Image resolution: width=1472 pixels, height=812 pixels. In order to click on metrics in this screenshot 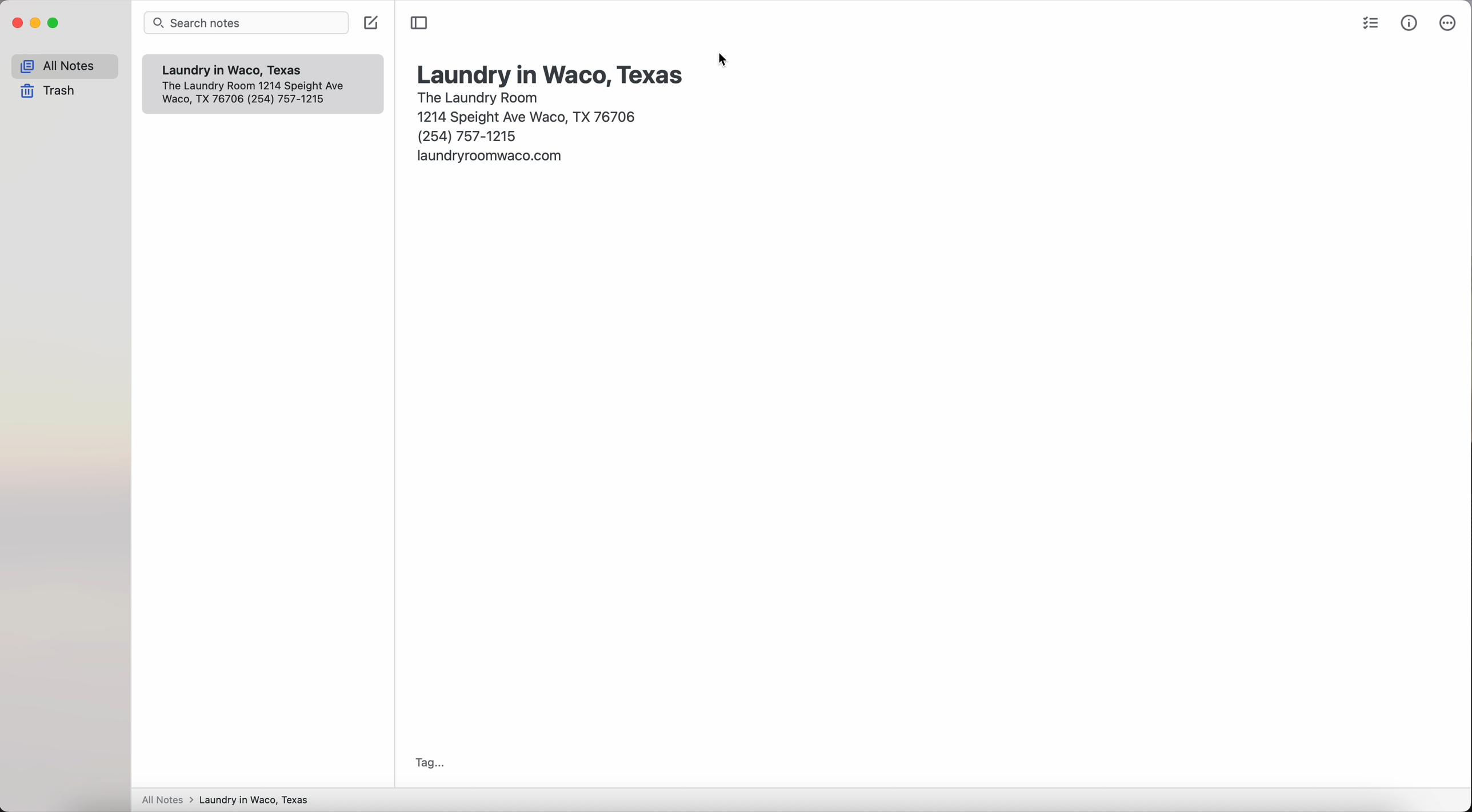, I will do `click(1410, 22)`.